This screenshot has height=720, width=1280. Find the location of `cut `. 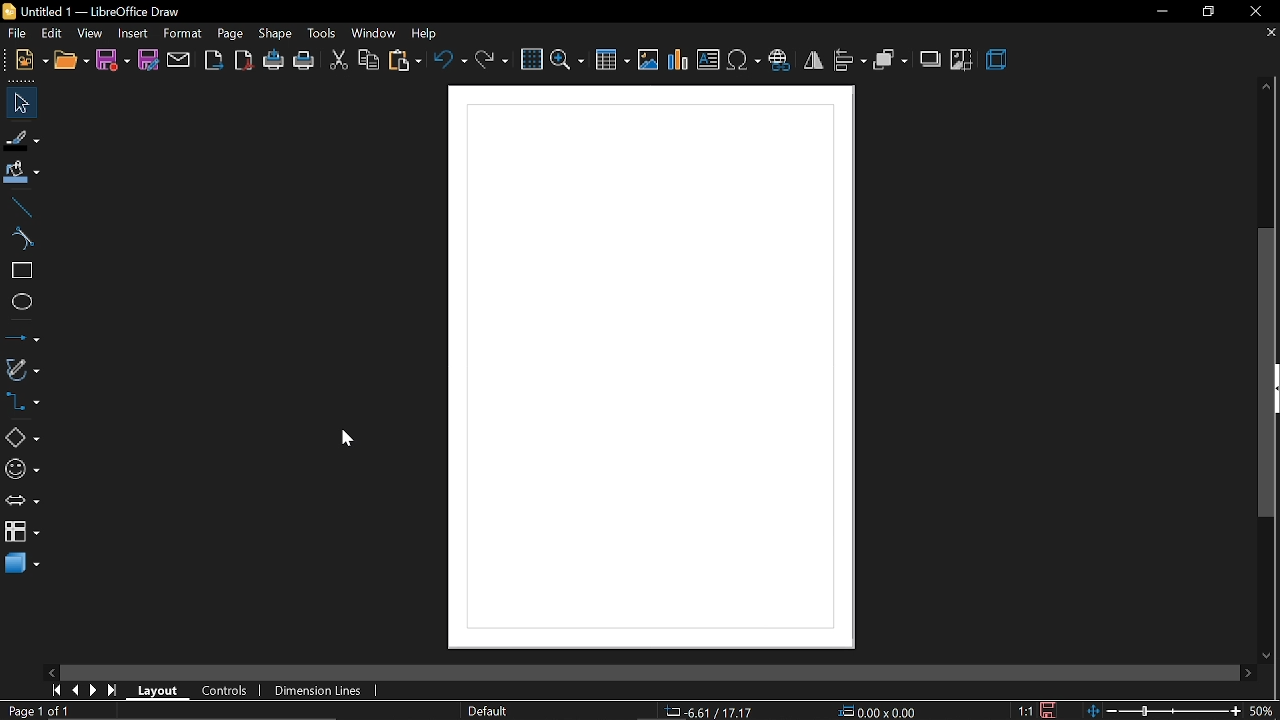

cut  is located at coordinates (336, 61).